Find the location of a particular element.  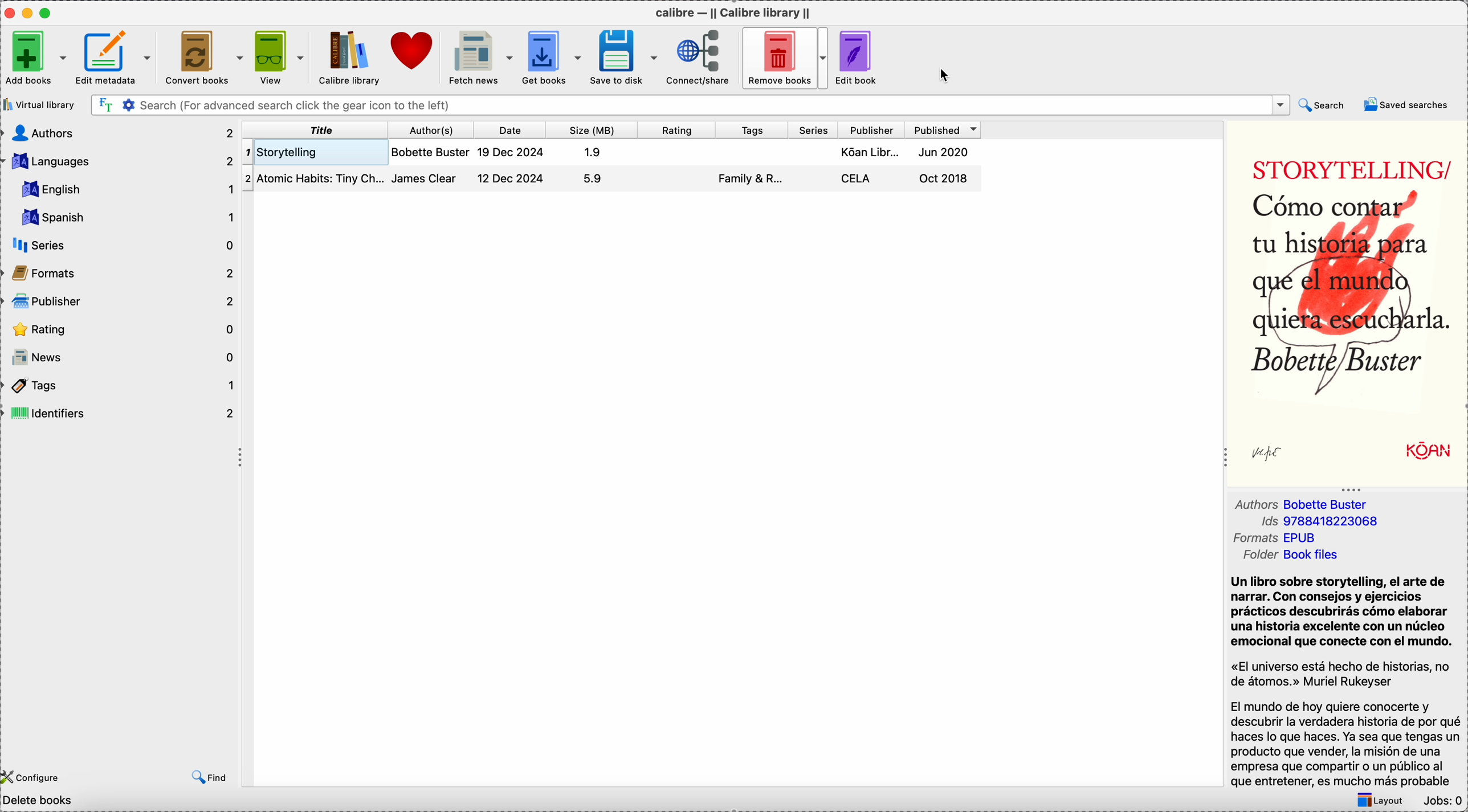

book cover preview is located at coordinates (1347, 302).